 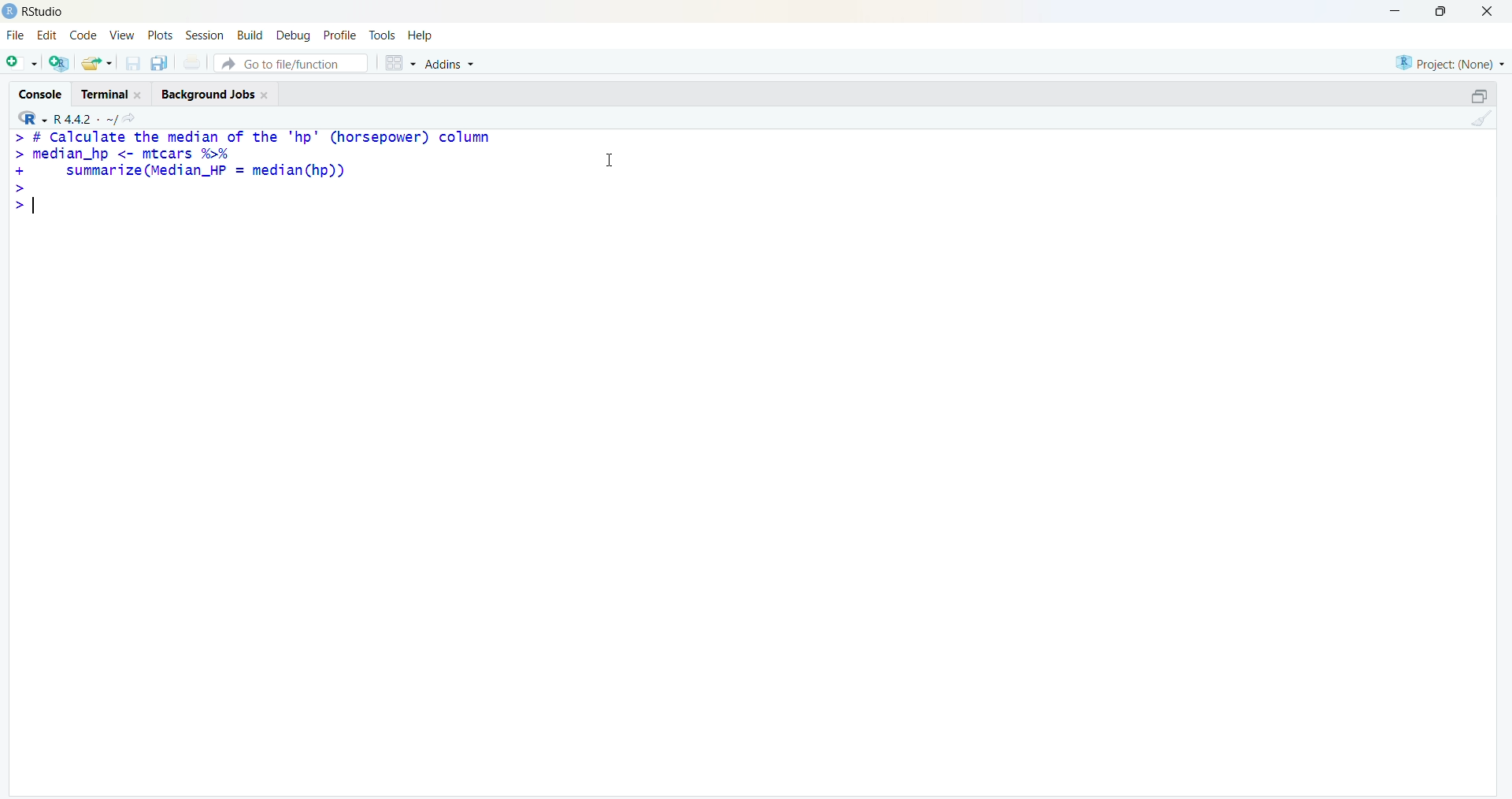 What do you see at coordinates (1480, 95) in the screenshot?
I see `open in separate window ` at bounding box center [1480, 95].